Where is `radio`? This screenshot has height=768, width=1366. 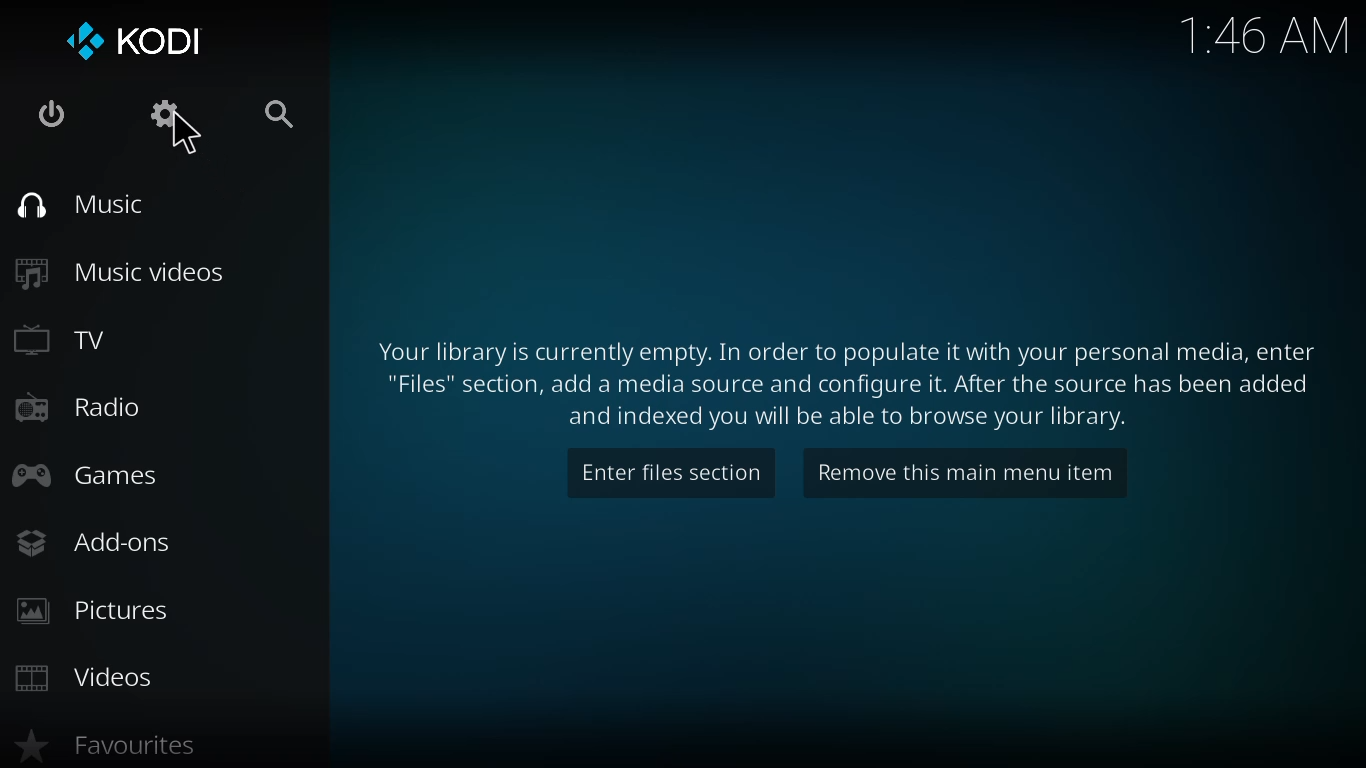
radio is located at coordinates (77, 405).